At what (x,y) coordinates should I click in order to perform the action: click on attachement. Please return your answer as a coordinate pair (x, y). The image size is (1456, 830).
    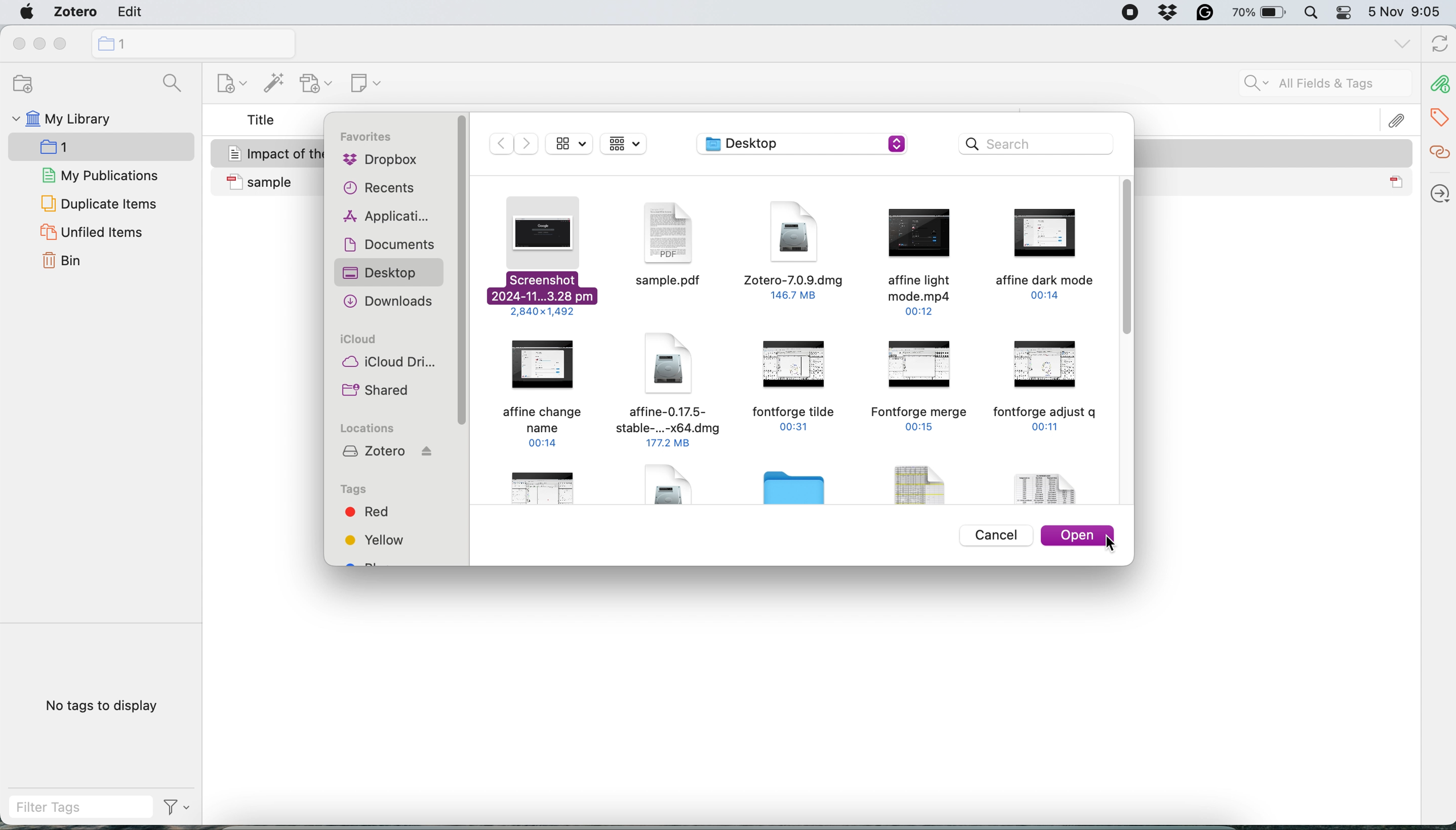
    Looking at the image, I should click on (1399, 120).